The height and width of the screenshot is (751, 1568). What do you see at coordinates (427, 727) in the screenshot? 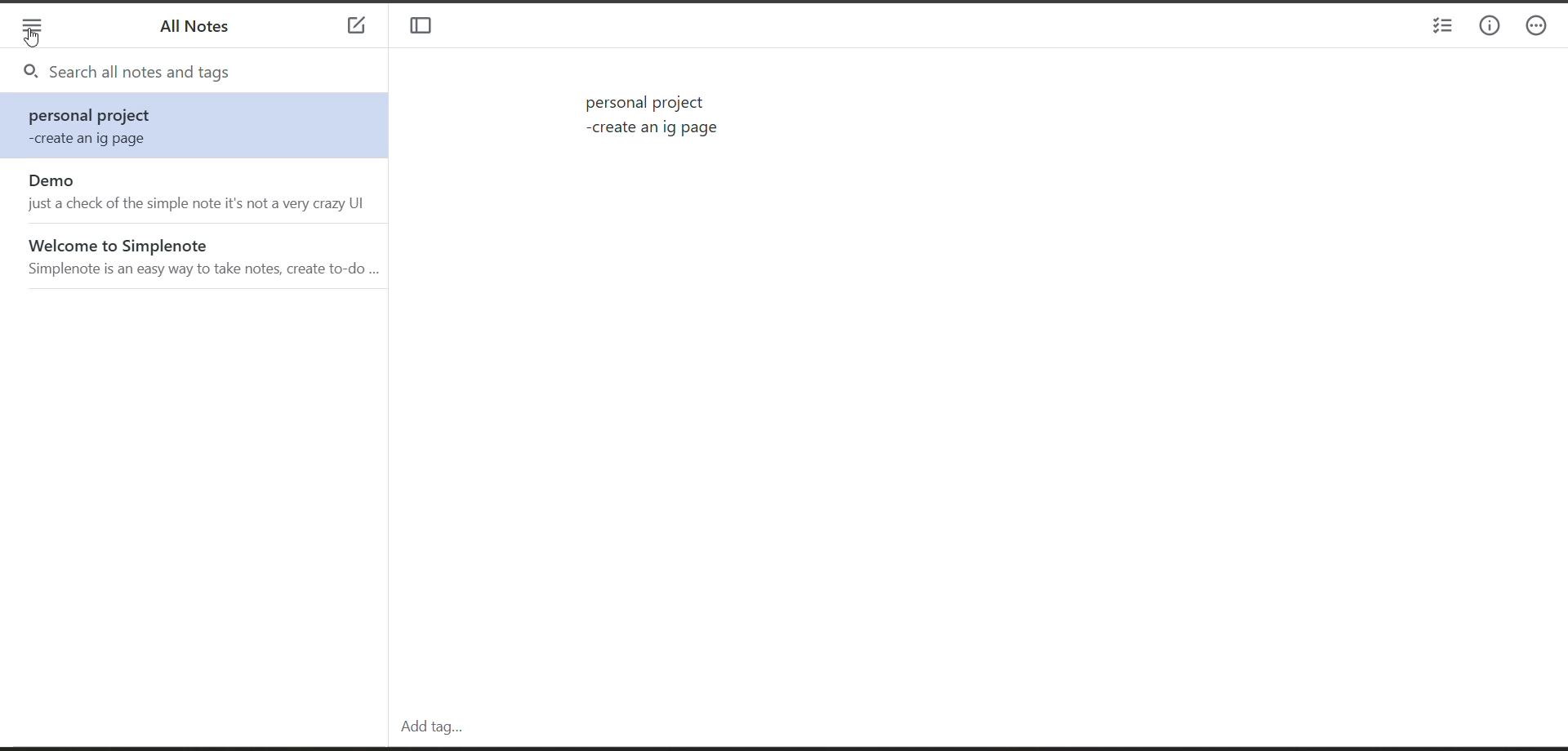
I see `add tag` at bounding box center [427, 727].